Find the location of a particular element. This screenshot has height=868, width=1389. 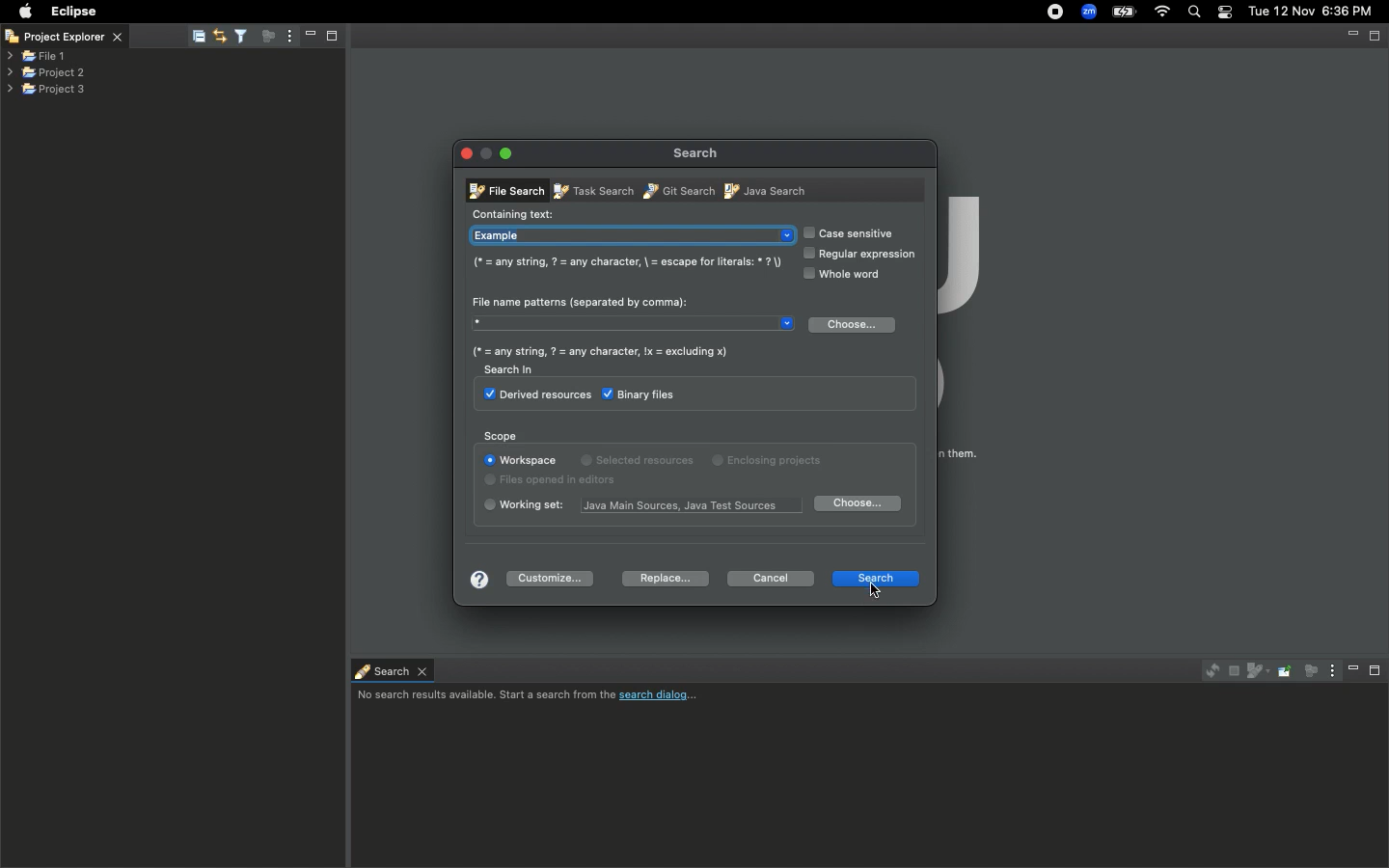

Files opened in editors is located at coordinates (558, 480).